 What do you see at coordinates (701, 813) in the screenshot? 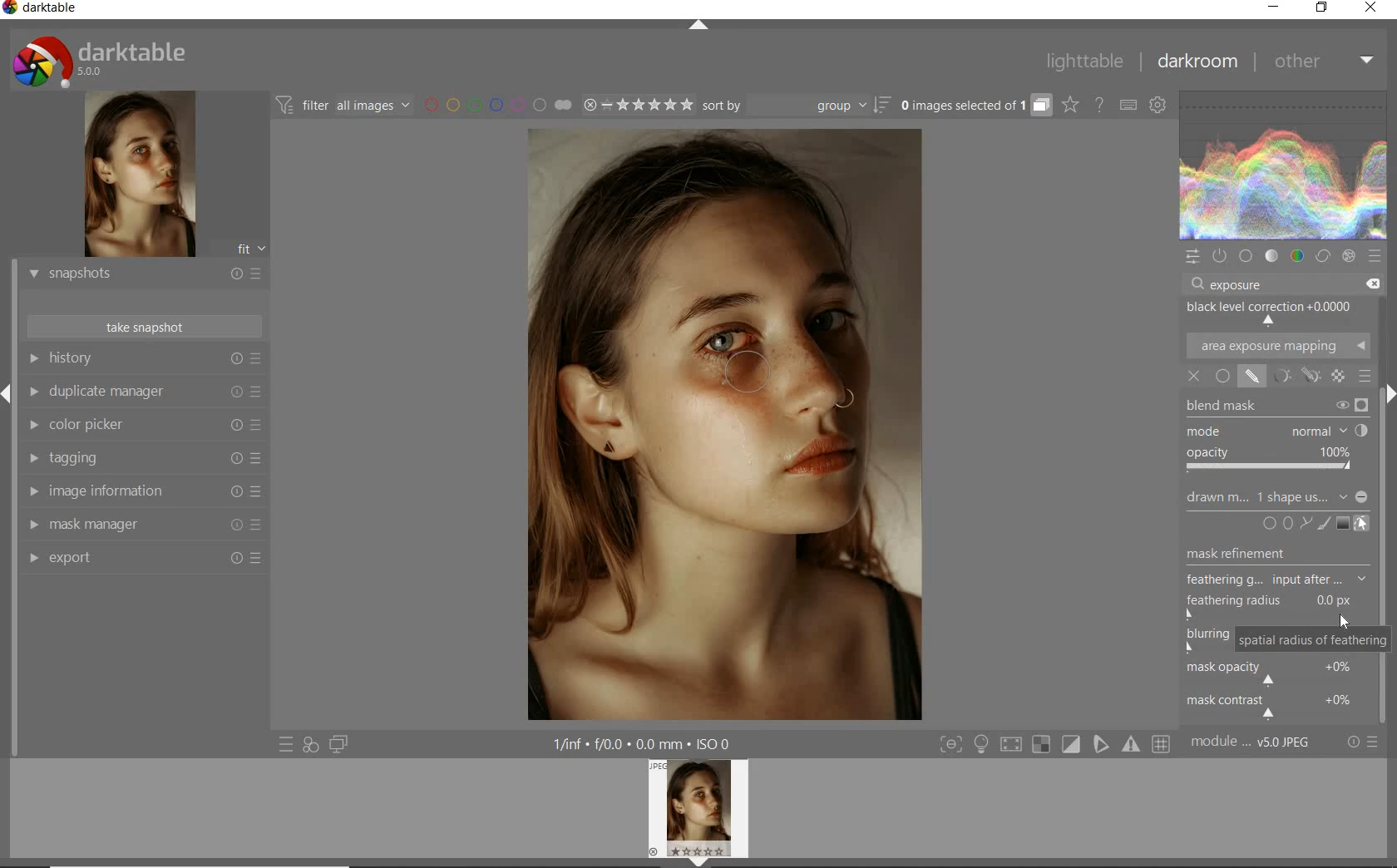
I see `image preview` at bounding box center [701, 813].